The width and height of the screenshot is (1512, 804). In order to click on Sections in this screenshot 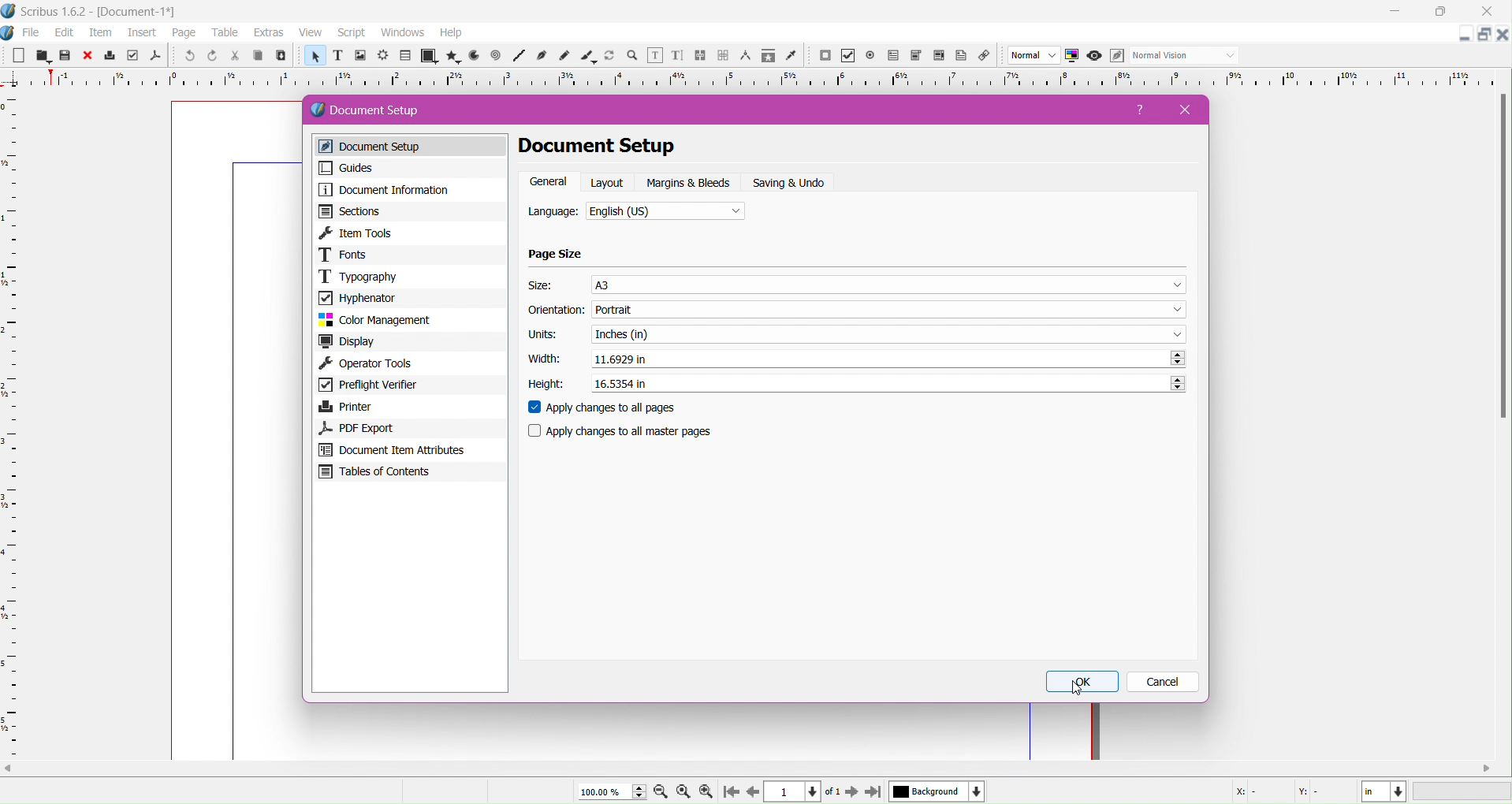, I will do `click(409, 211)`.